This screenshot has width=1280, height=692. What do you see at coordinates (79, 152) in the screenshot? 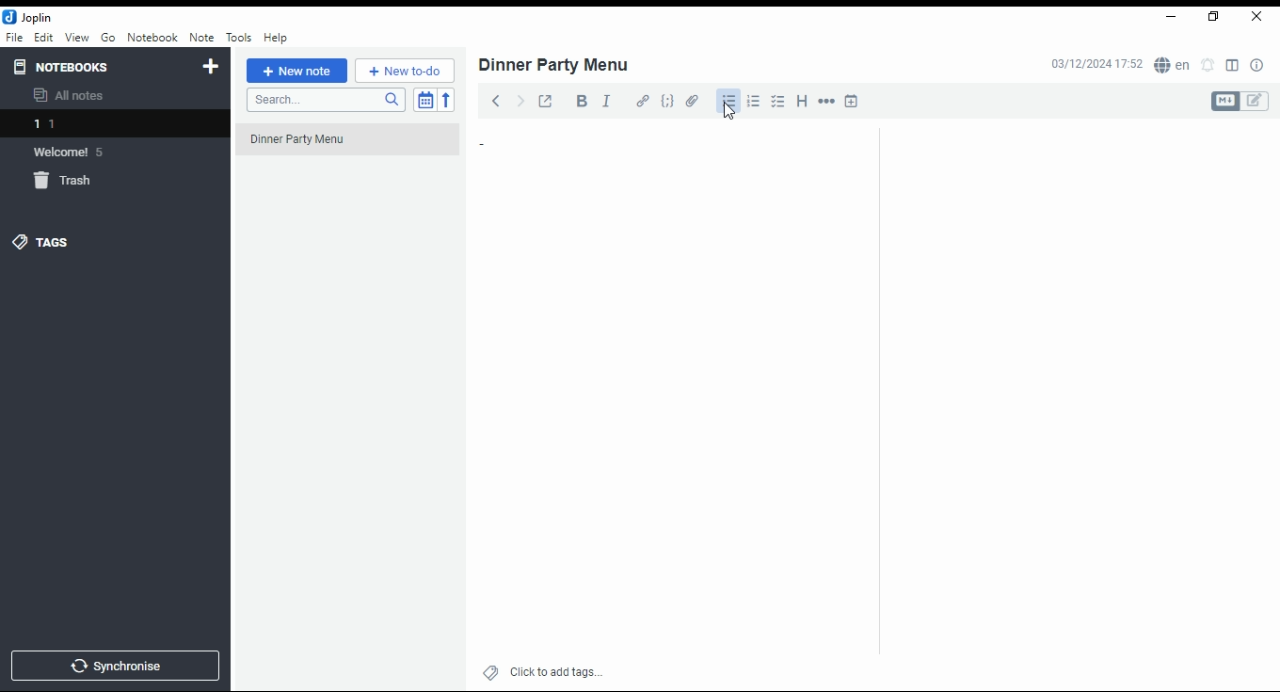
I see `Welcome 5` at bounding box center [79, 152].